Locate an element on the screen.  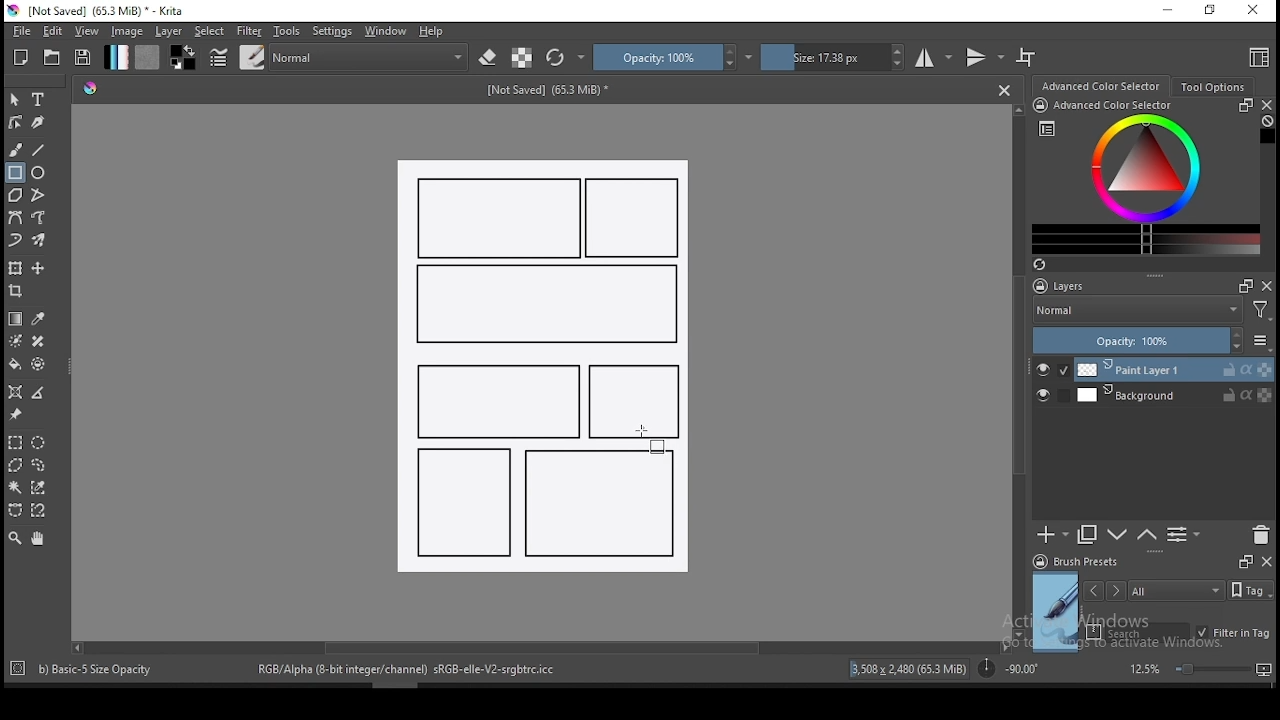
move layer one step up is located at coordinates (1118, 537).